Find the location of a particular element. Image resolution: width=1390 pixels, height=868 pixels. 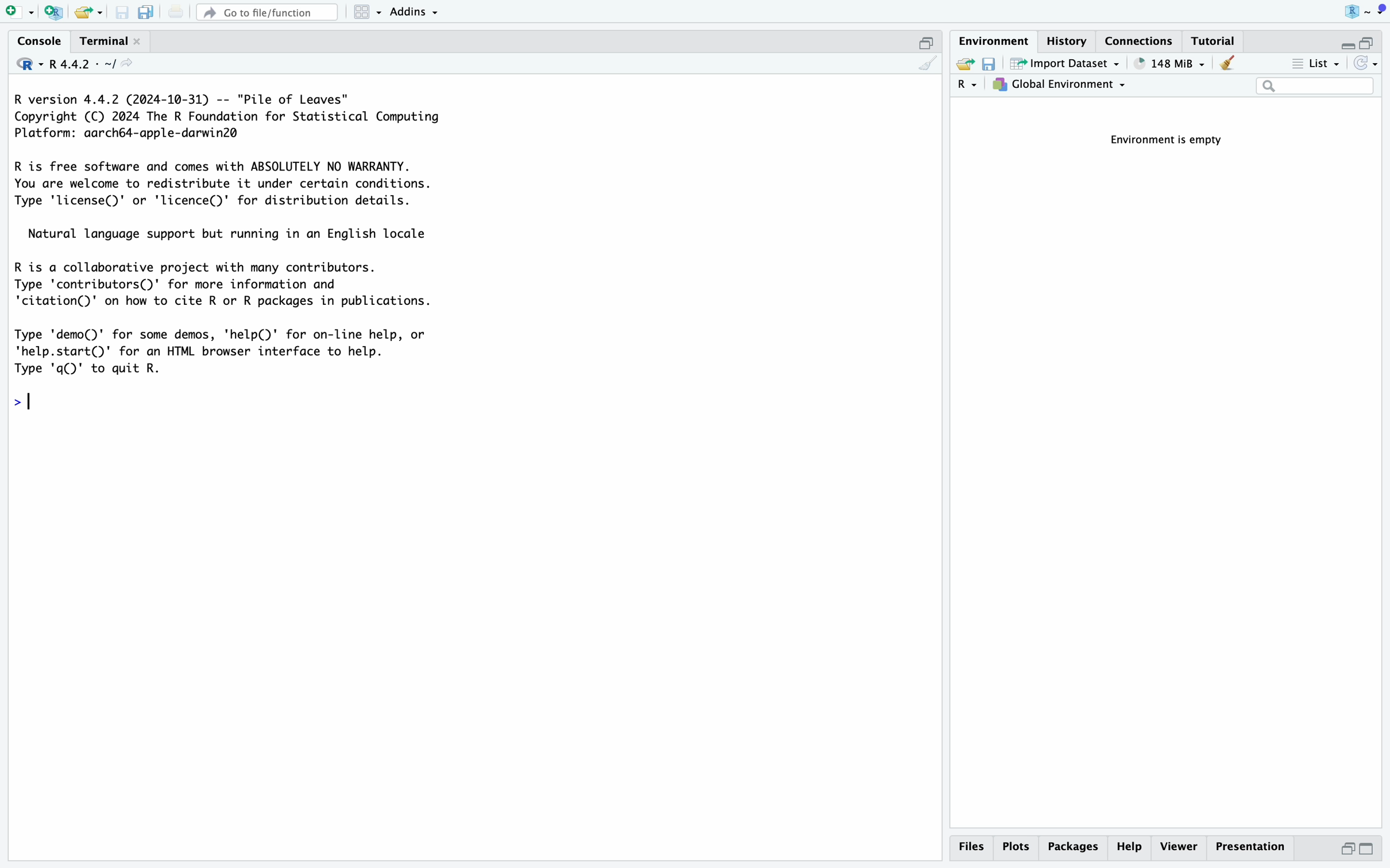

print the current file is located at coordinates (173, 11).